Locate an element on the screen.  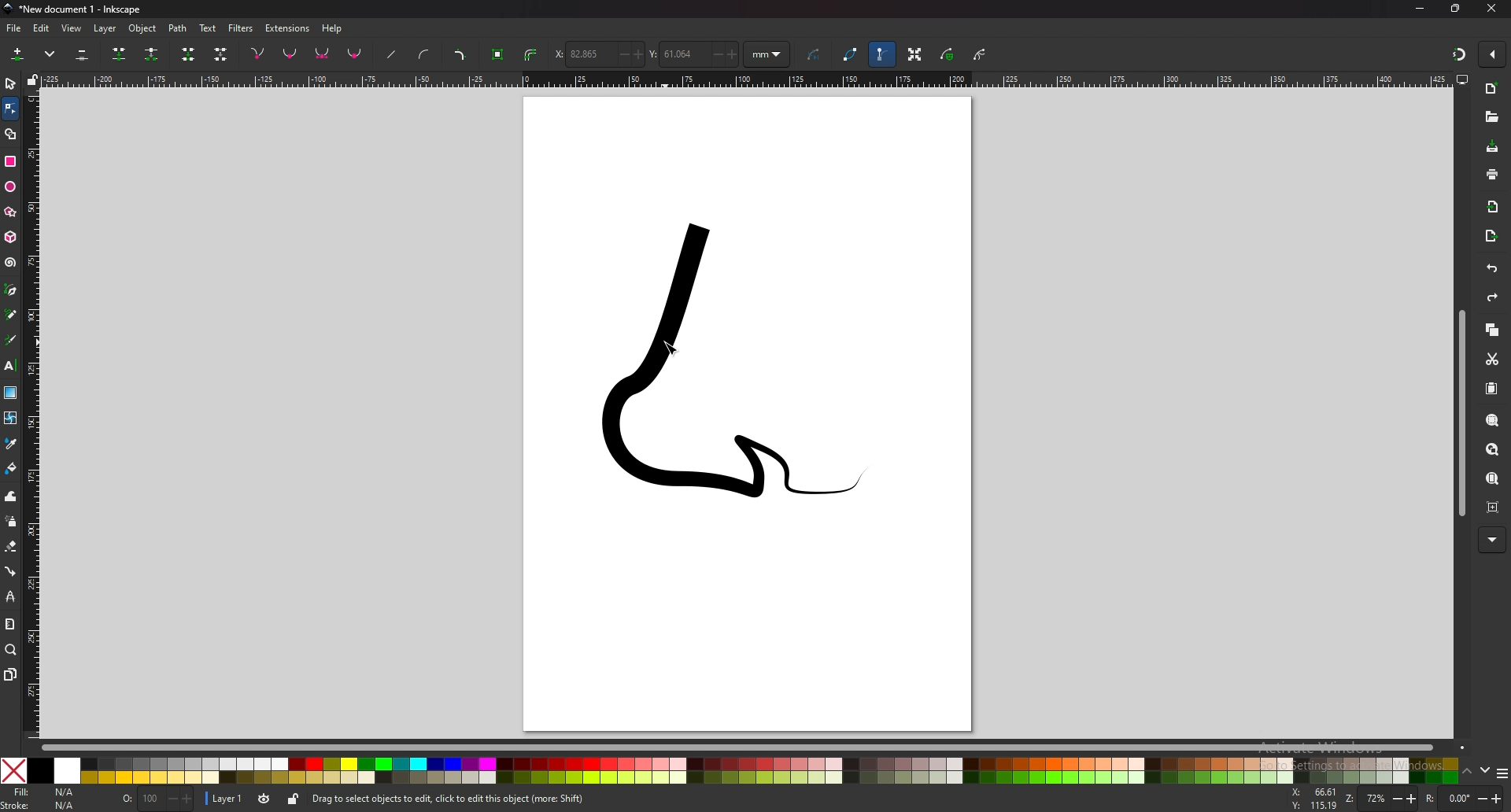
title is located at coordinates (86, 9).